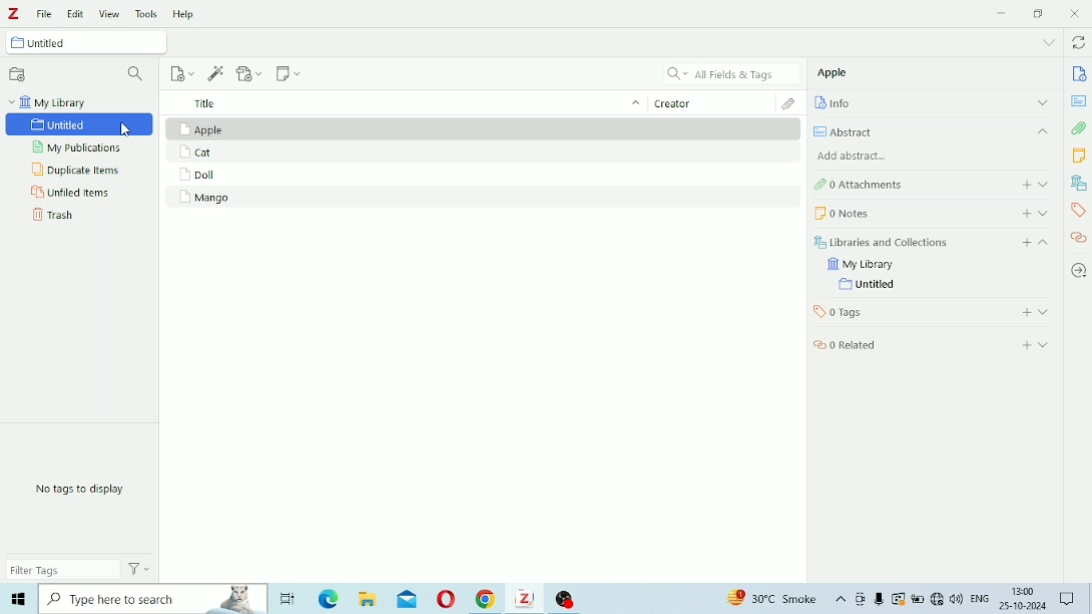  What do you see at coordinates (185, 14) in the screenshot?
I see `Help` at bounding box center [185, 14].